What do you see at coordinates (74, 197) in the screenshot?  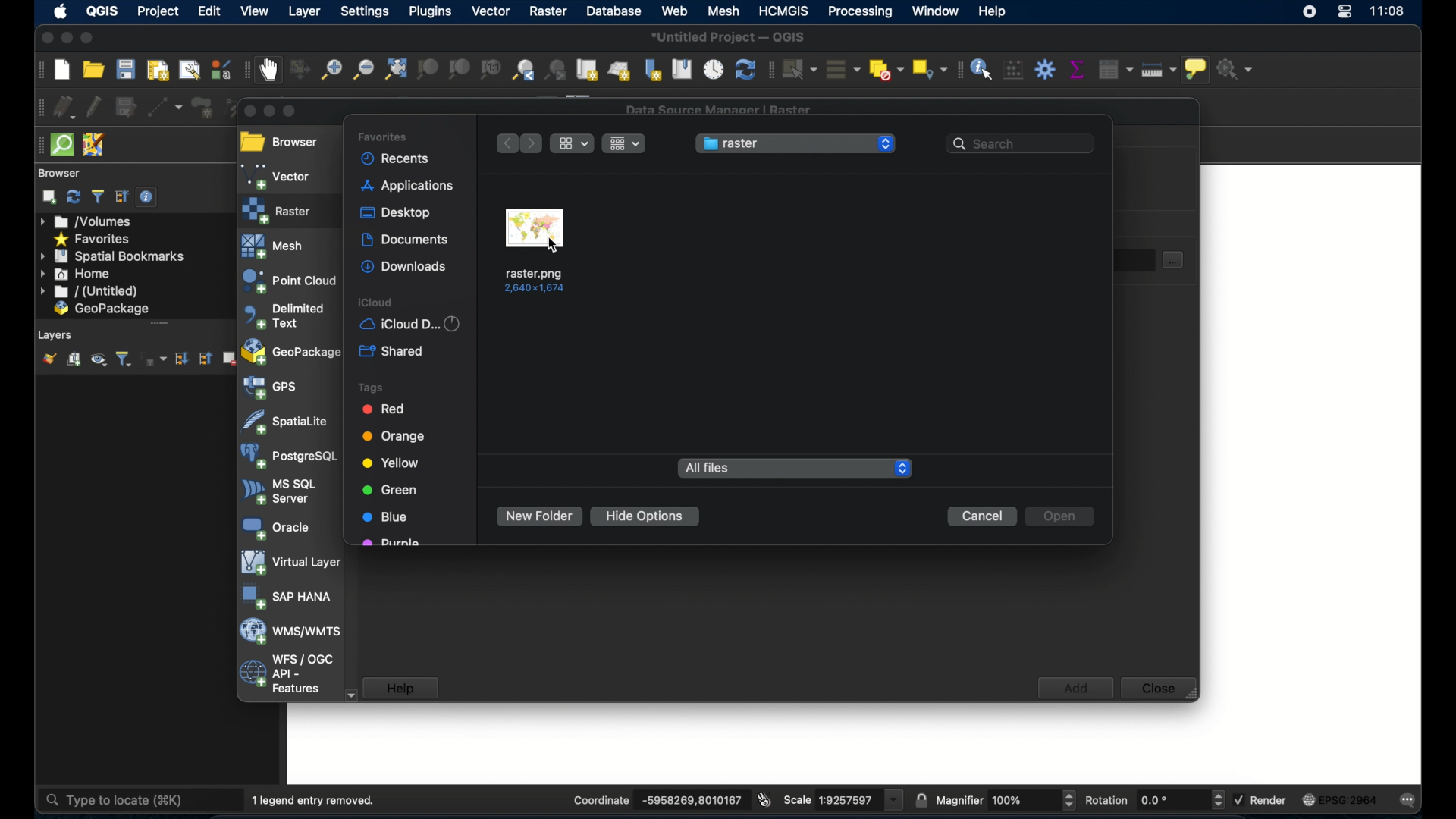 I see `refresh` at bounding box center [74, 197].